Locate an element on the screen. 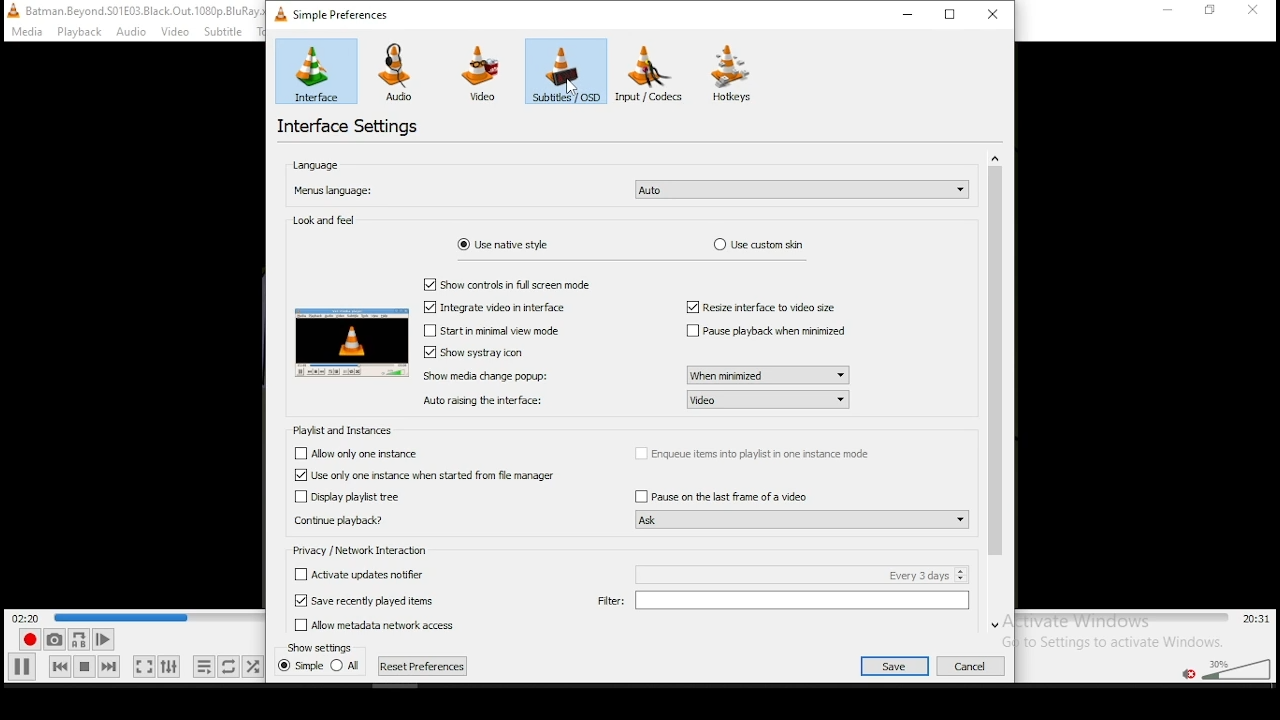 This screenshot has width=1280, height=720. auto raising the interface: video is located at coordinates (636, 401).